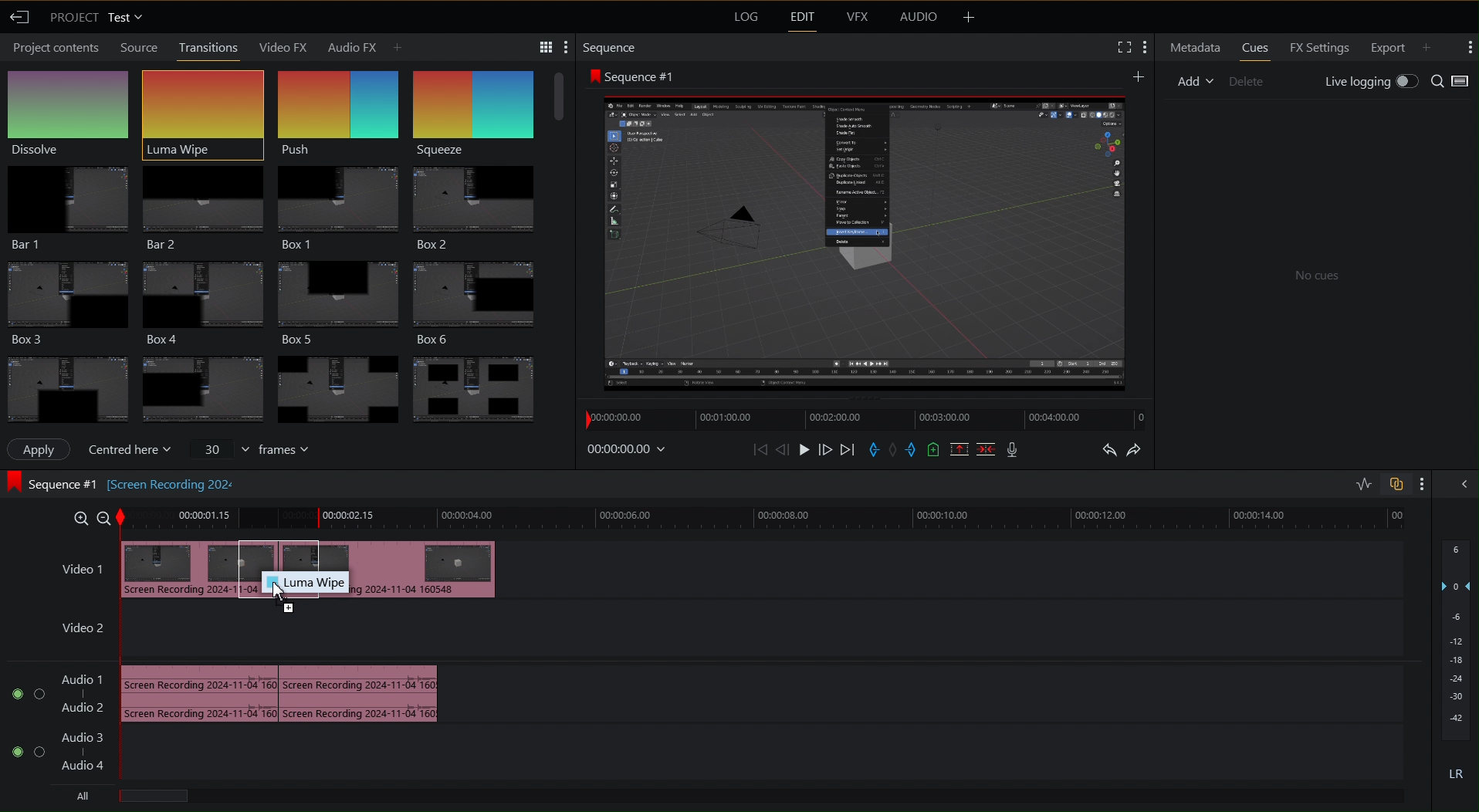 Image resolution: width=1479 pixels, height=812 pixels. Describe the element at coordinates (1421, 485) in the screenshot. I see `More` at that location.